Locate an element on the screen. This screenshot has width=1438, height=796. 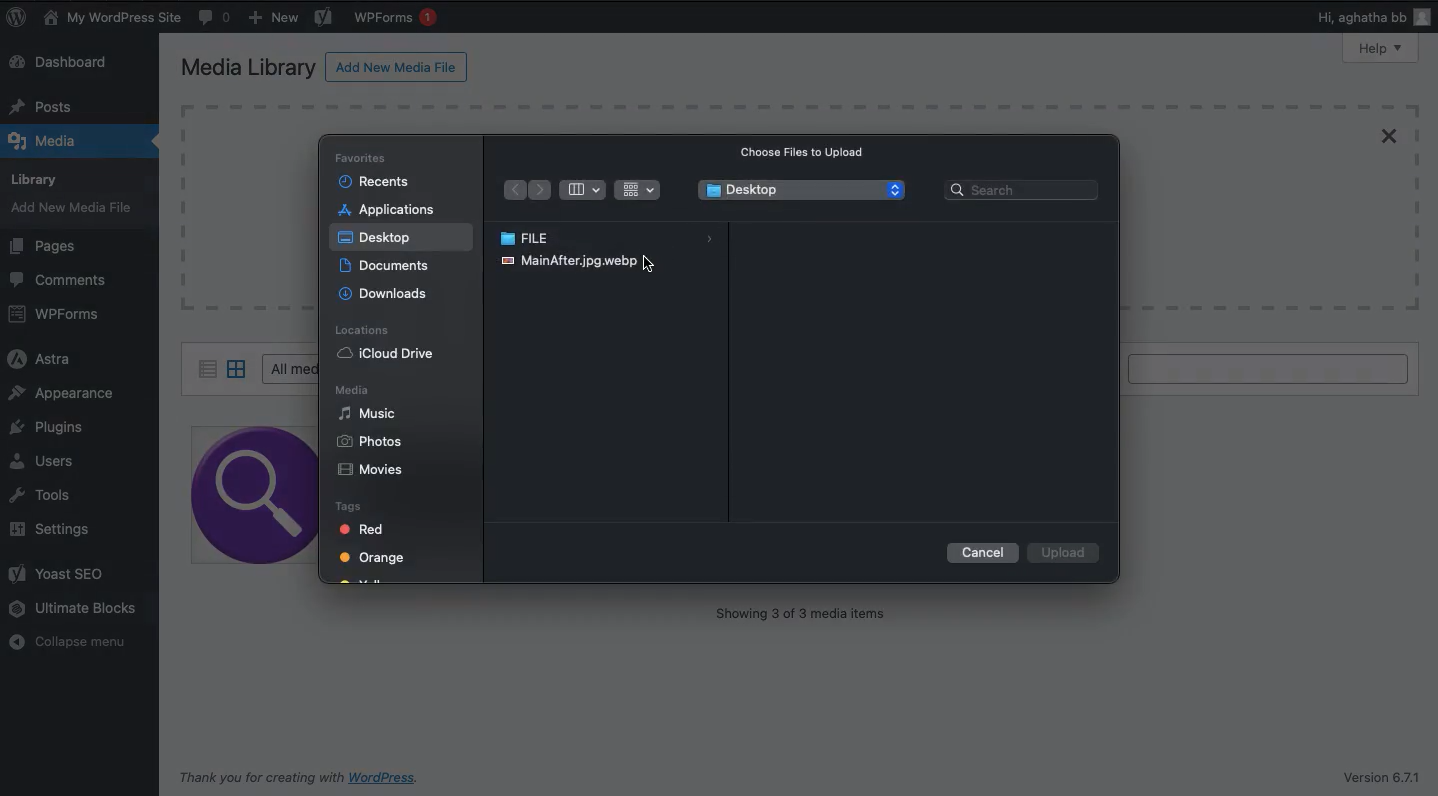
Version 6.7.1 is located at coordinates (1380, 778).